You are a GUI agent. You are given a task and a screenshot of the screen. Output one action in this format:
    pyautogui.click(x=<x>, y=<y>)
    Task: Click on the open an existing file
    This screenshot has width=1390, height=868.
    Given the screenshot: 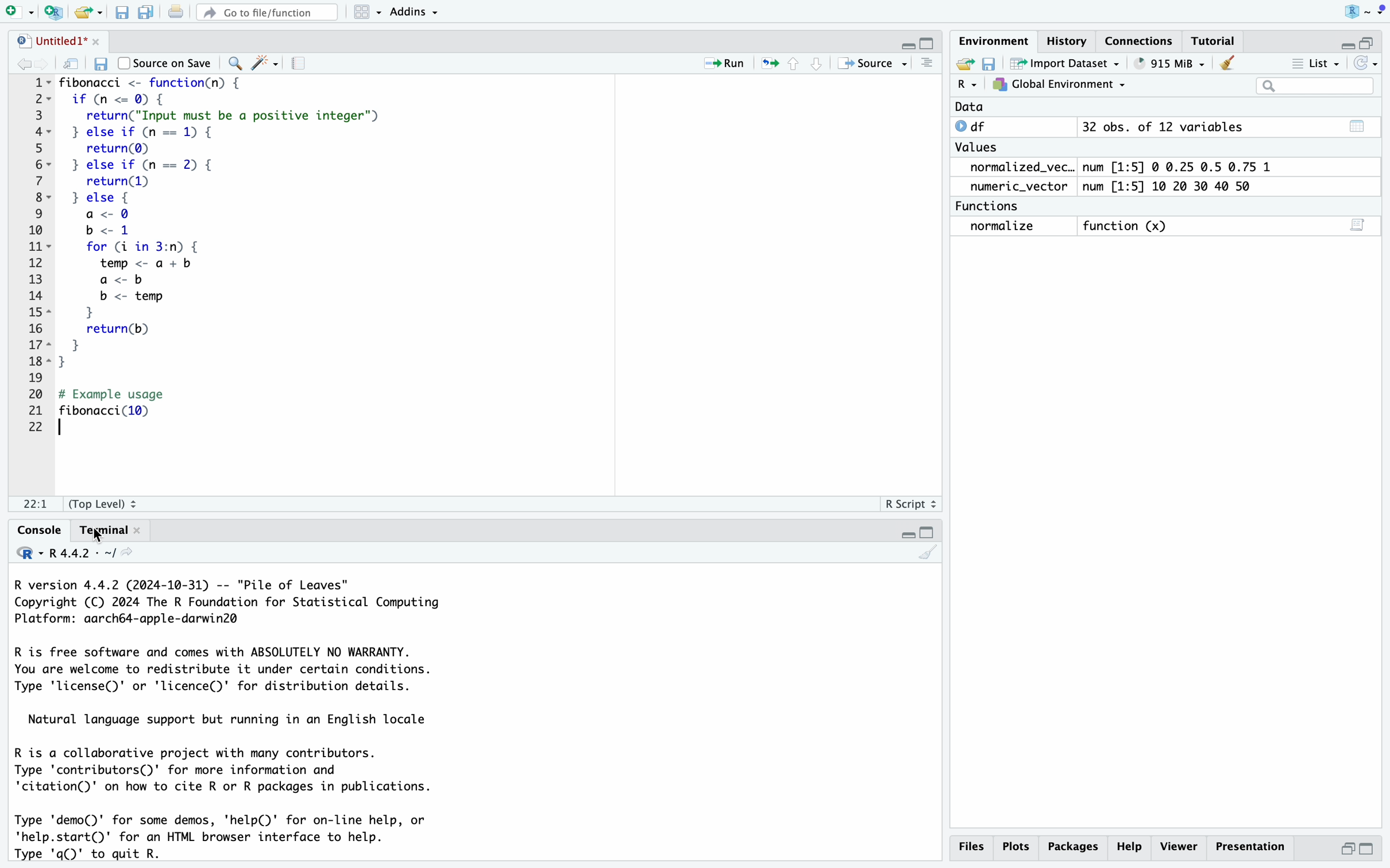 What is the action you would take?
    pyautogui.click(x=88, y=12)
    